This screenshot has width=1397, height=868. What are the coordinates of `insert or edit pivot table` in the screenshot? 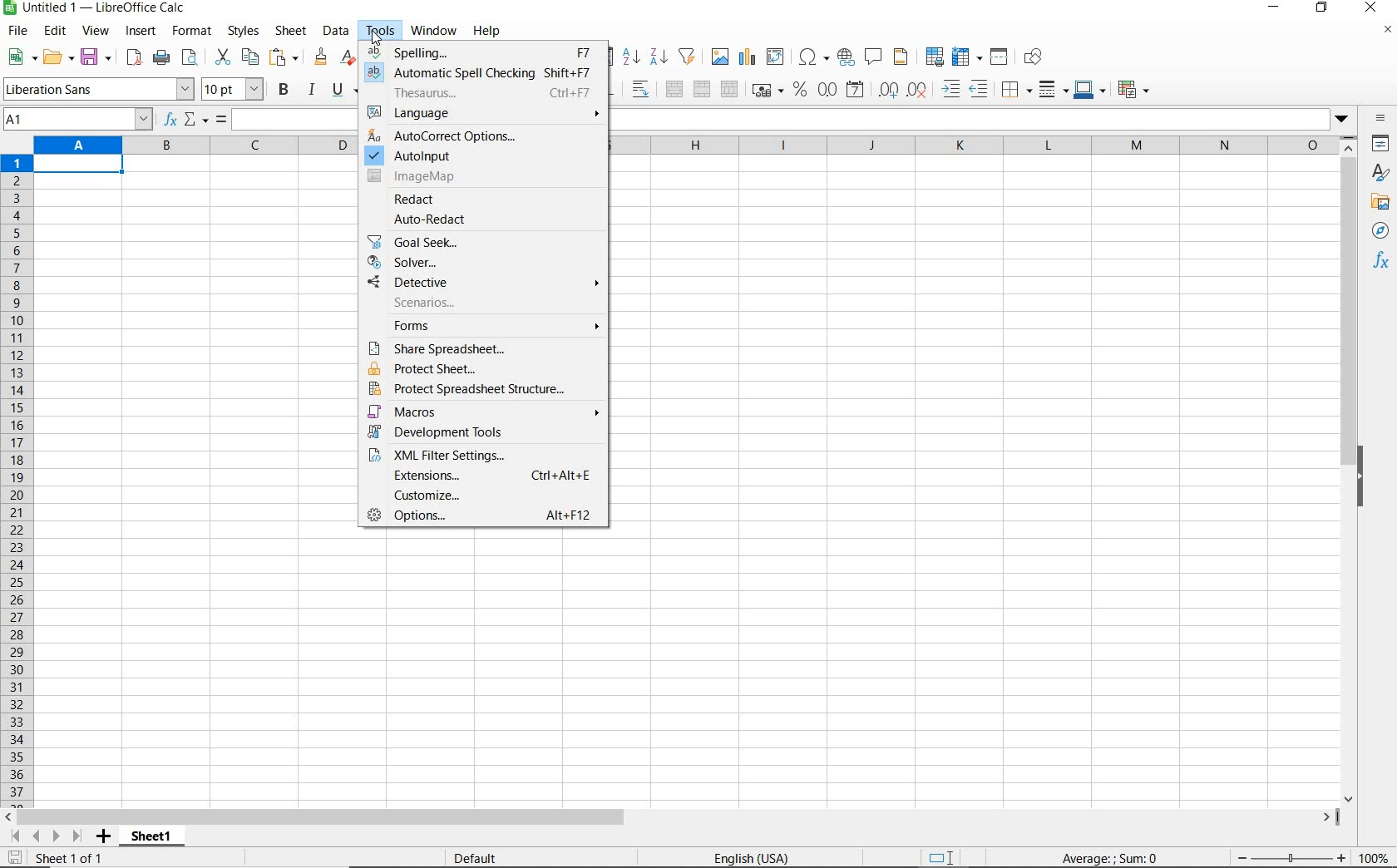 It's located at (777, 57).